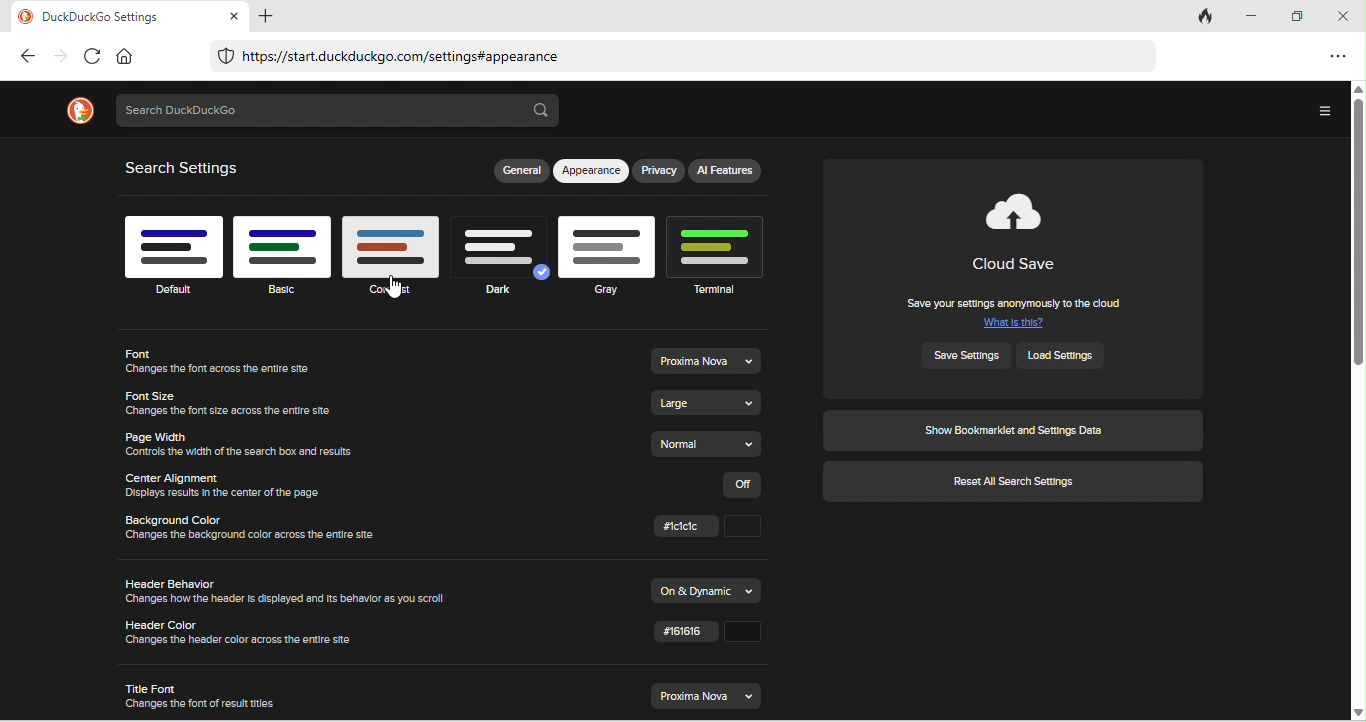 This screenshot has width=1366, height=722. Describe the element at coordinates (1346, 16) in the screenshot. I see `close` at that location.